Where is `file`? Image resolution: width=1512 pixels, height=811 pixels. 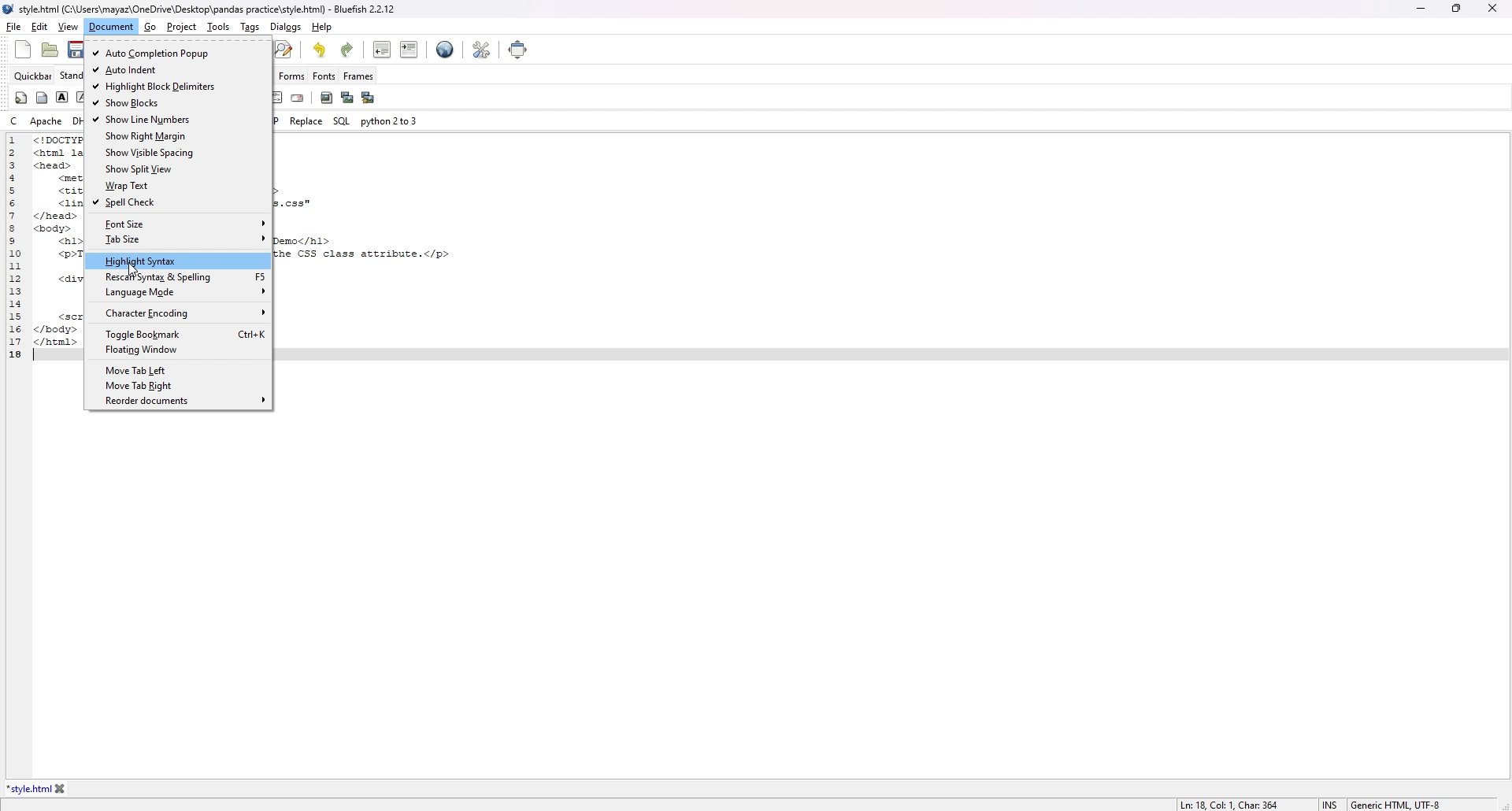 file is located at coordinates (13, 27).